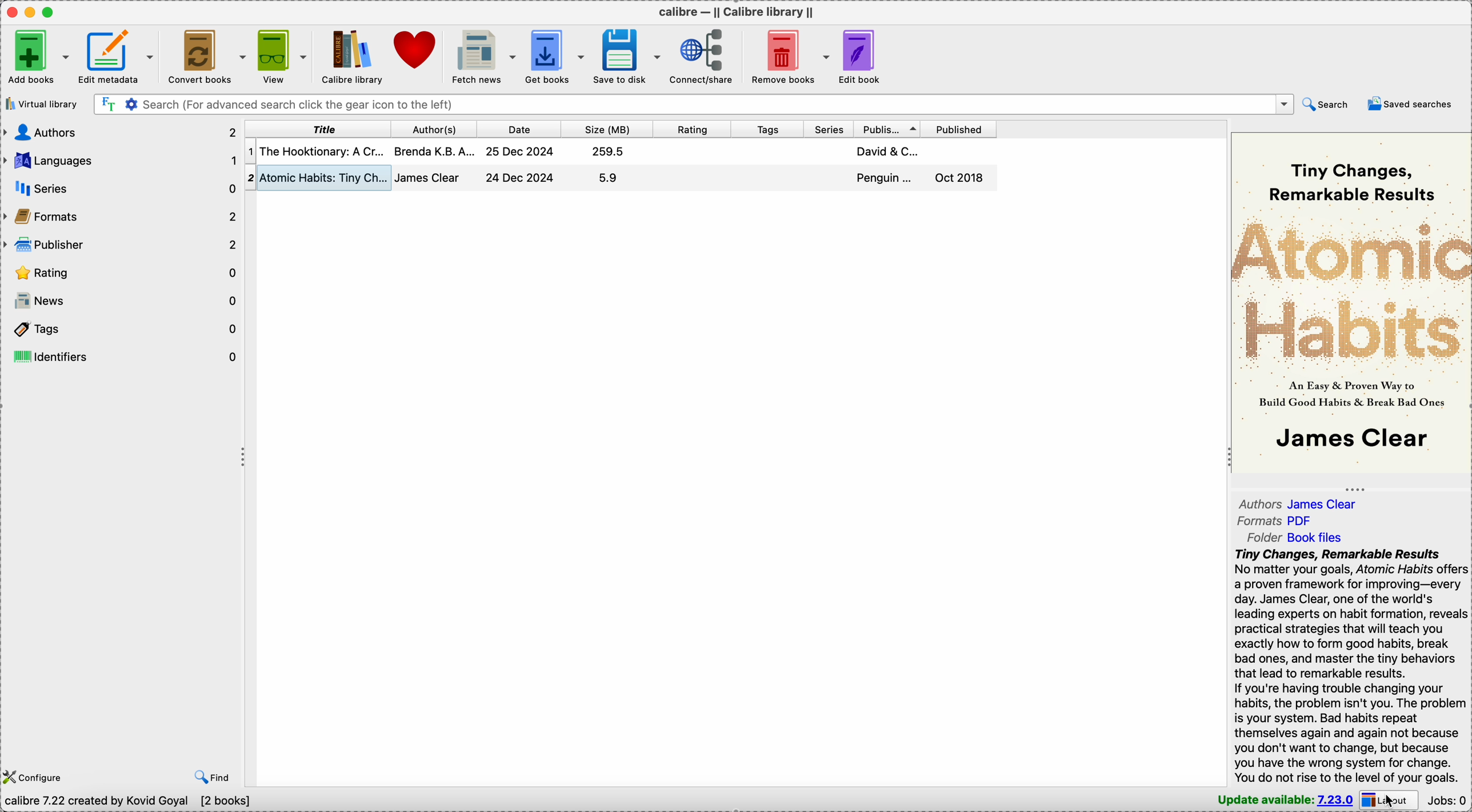 This screenshot has width=1472, height=812. Describe the element at coordinates (129, 803) in the screenshot. I see `calibre 7.22 created by Kovid Goyal [2 books]` at that location.